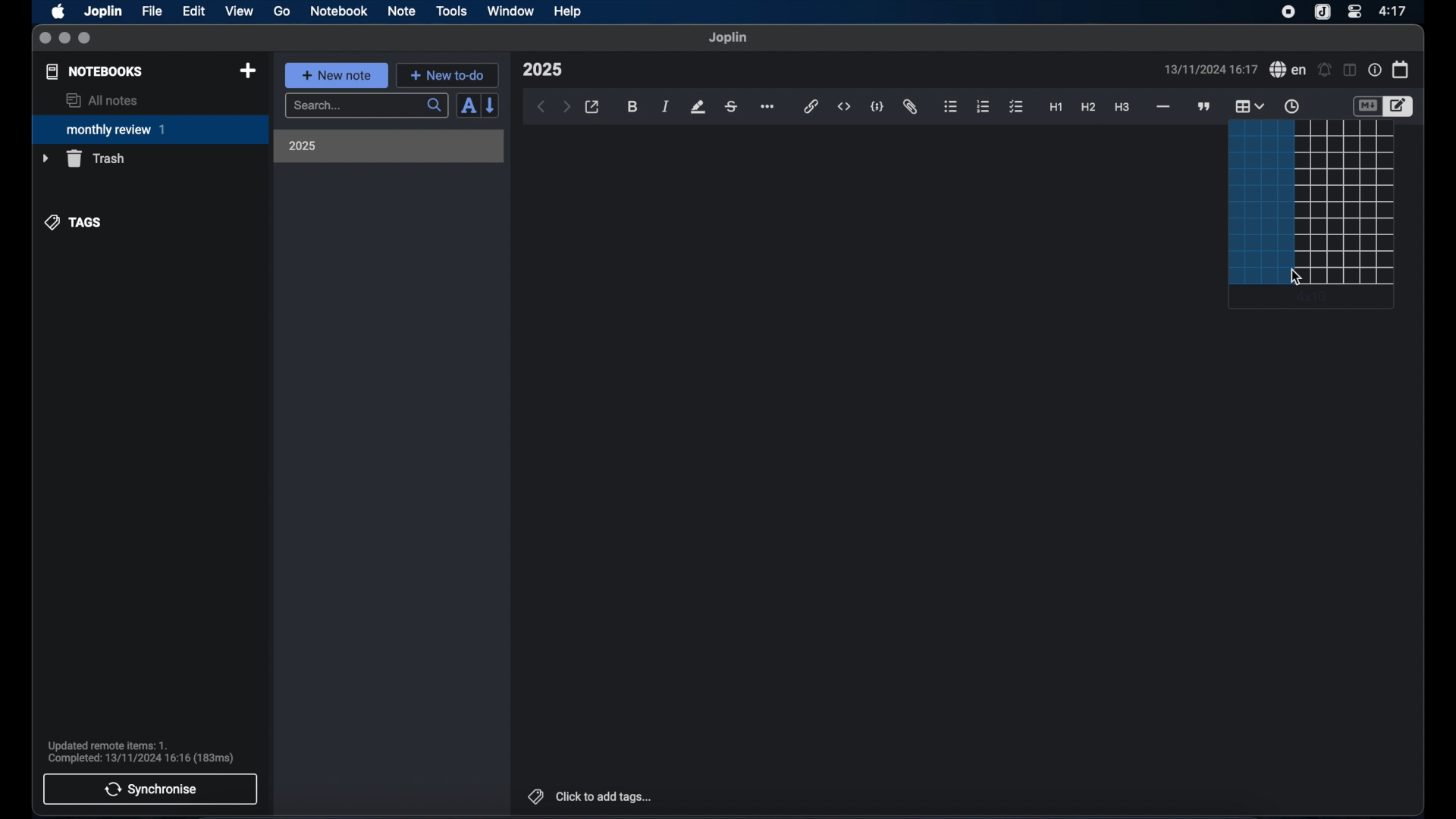 This screenshot has height=819, width=1456. What do you see at coordinates (1122, 108) in the screenshot?
I see `heading 3` at bounding box center [1122, 108].